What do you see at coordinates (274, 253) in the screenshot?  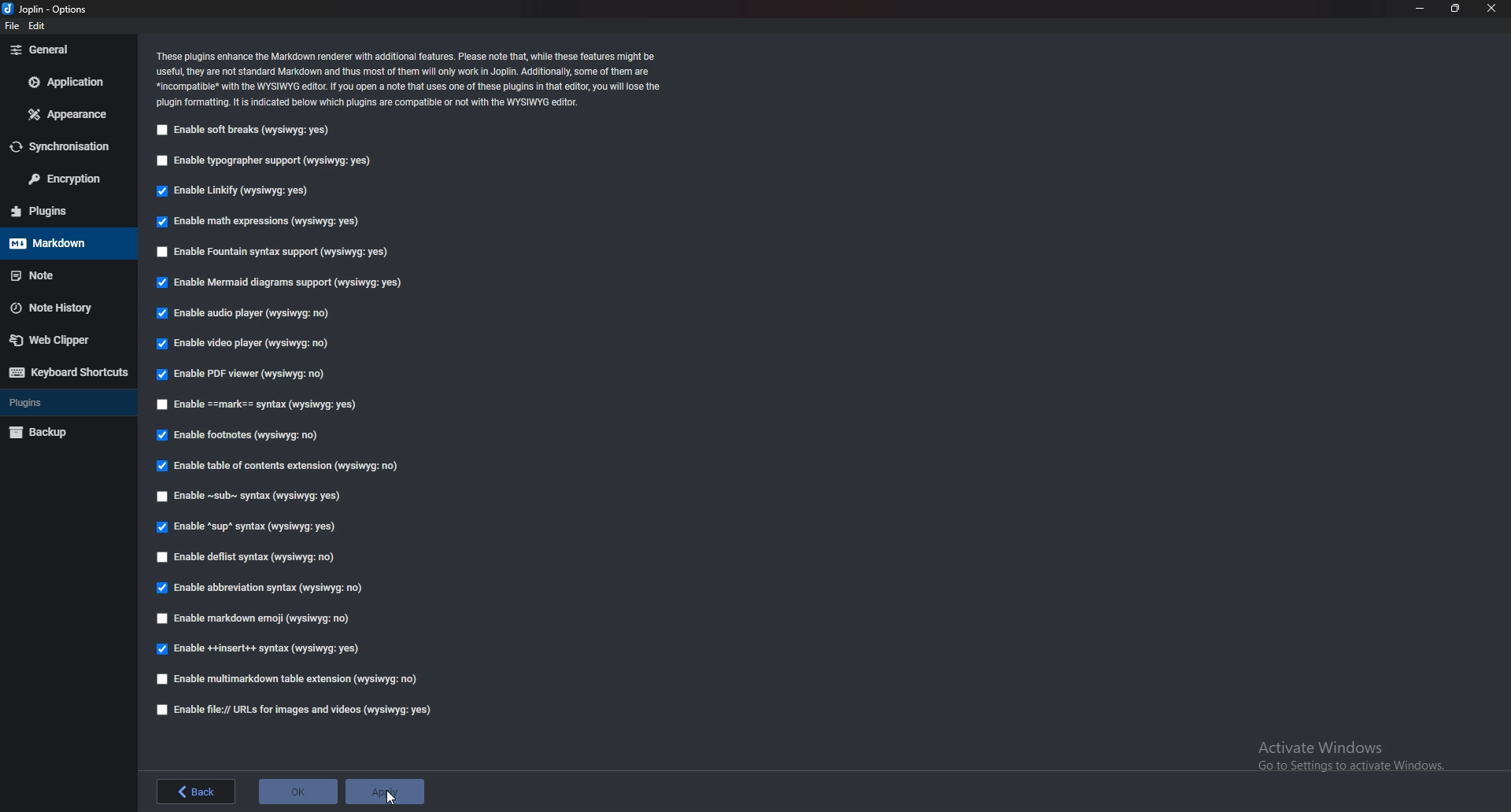 I see `Enable fountain syntax support` at bounding box center [274, 253].